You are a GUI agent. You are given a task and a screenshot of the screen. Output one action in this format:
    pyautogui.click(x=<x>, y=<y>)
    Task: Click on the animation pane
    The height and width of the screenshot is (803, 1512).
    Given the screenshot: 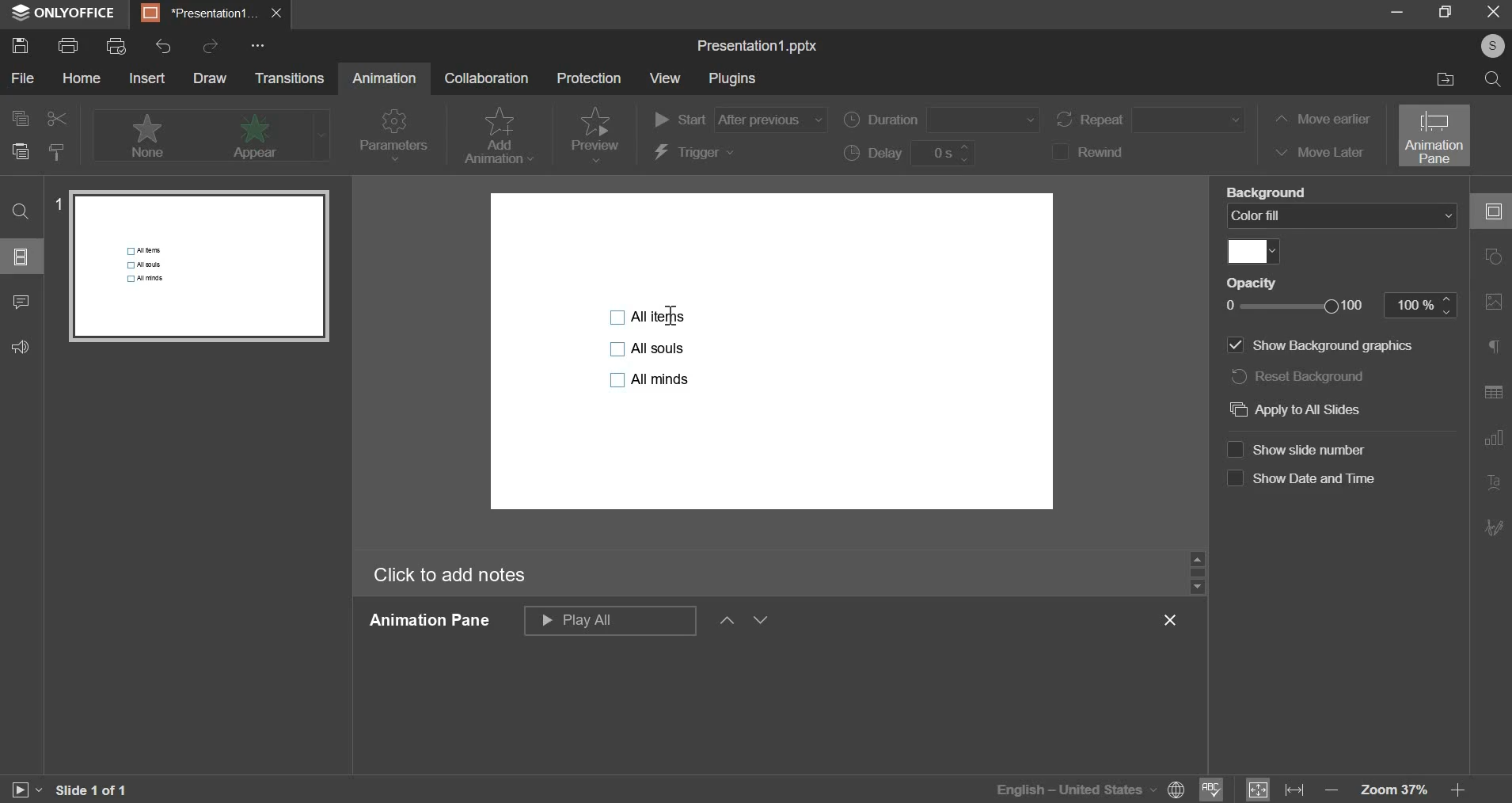 What is the action you would take?
    pyautogui.click(x=664, y=622)
    